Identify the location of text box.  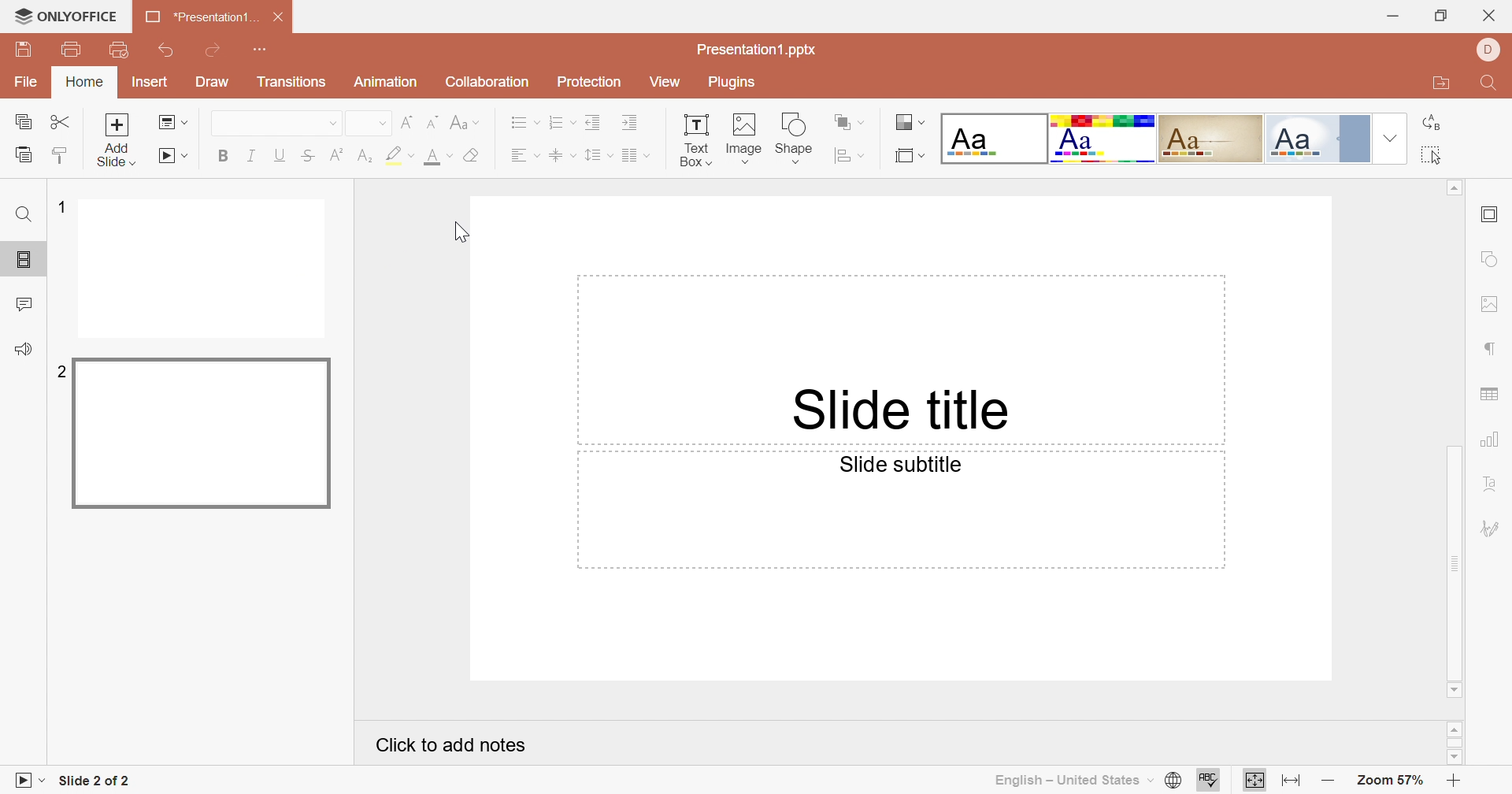
(696, 137).